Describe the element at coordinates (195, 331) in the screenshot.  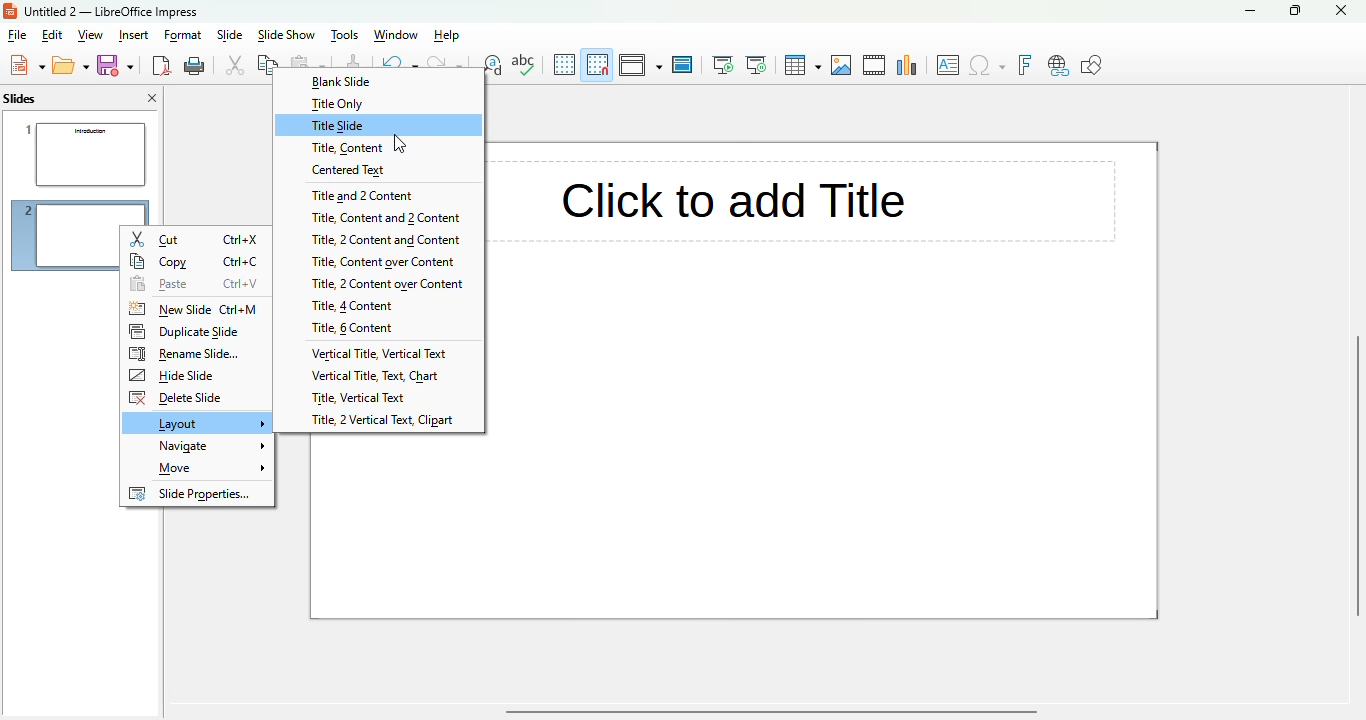
I see `duplicate slide` at that location.